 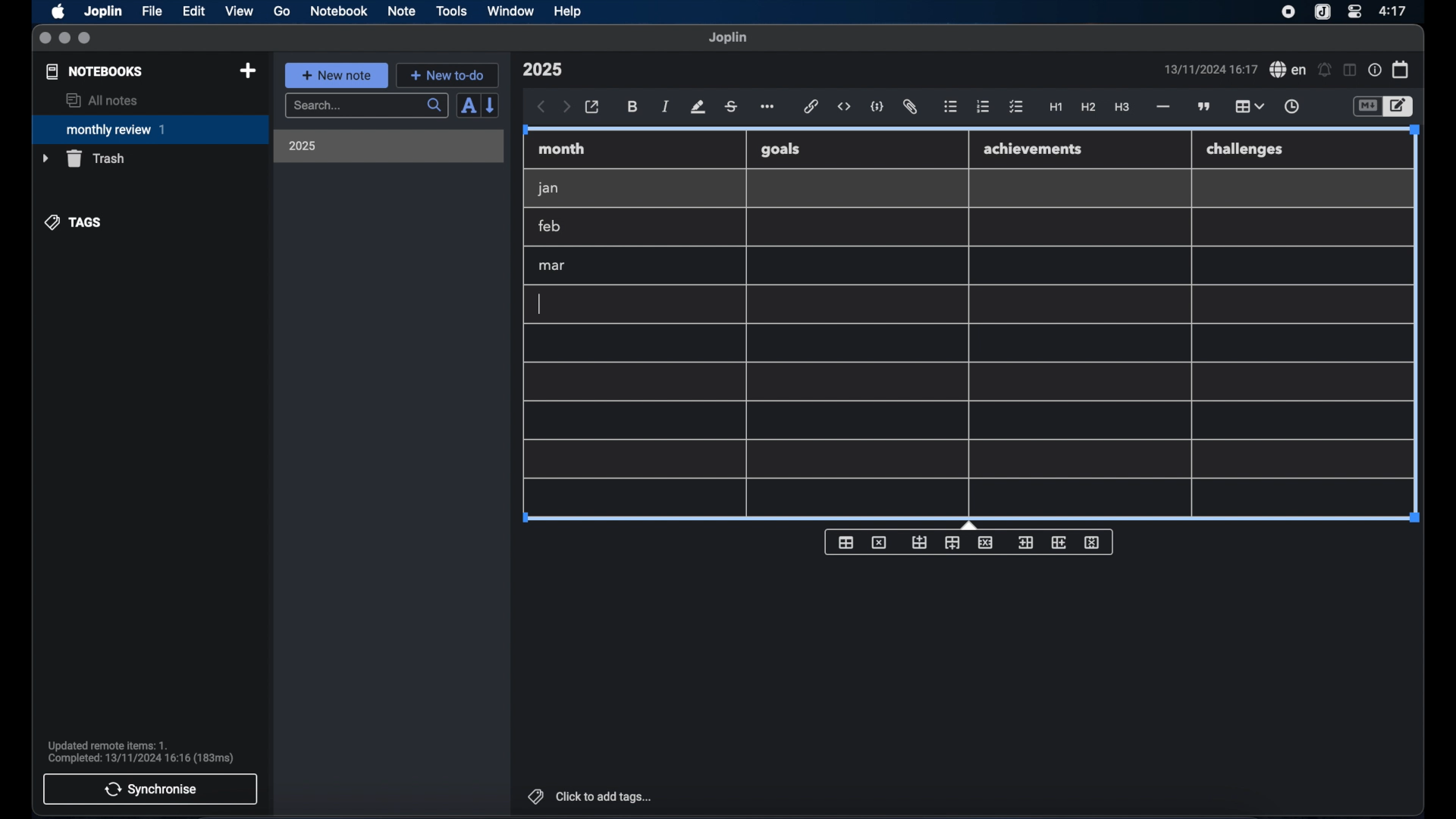 What do you see at coordinates (1093, 543) in the screenshot?
I see `delete column` at bounding box center [1093, 543].